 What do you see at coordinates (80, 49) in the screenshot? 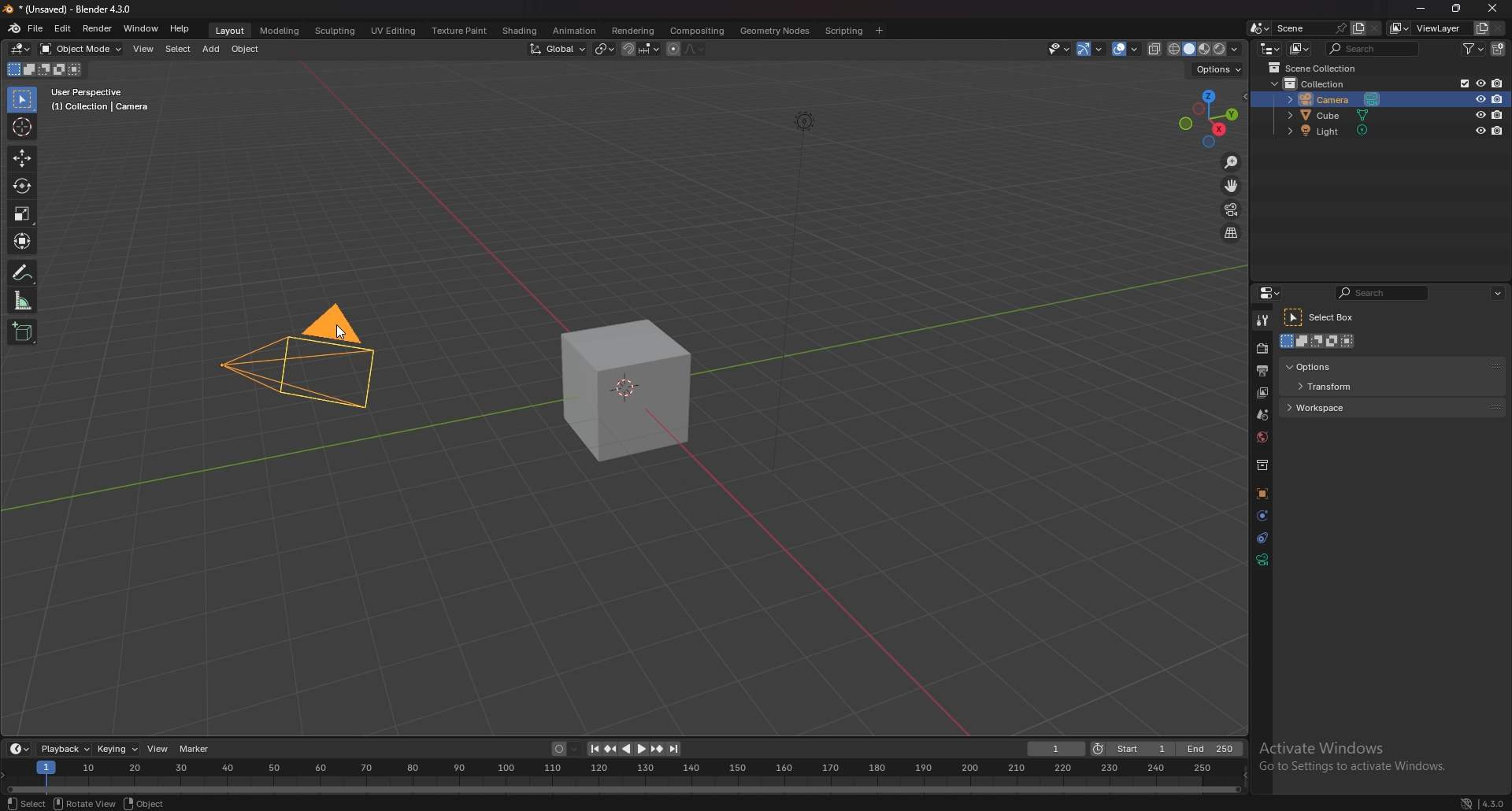
I see `object mode` at bounding box center [80, 49].